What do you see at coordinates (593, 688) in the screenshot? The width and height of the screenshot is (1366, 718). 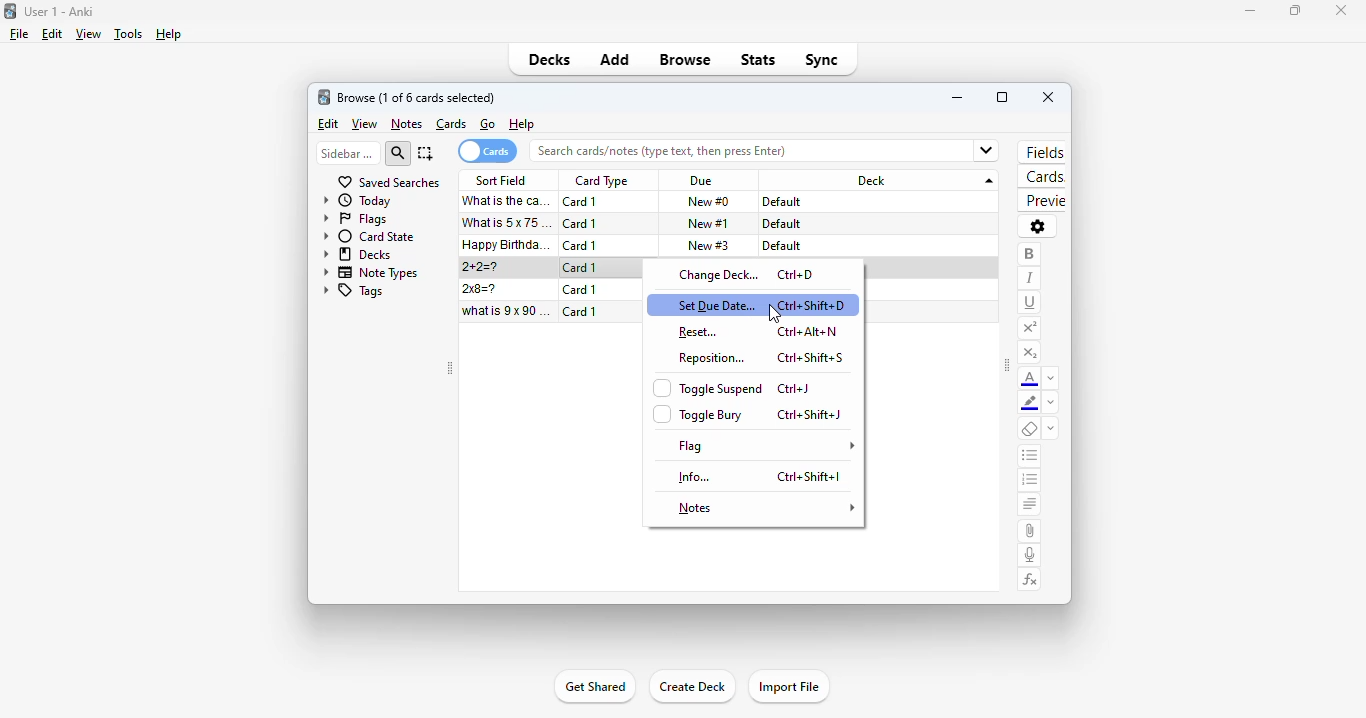 I see `get shared` at bounding box center [593, 688].